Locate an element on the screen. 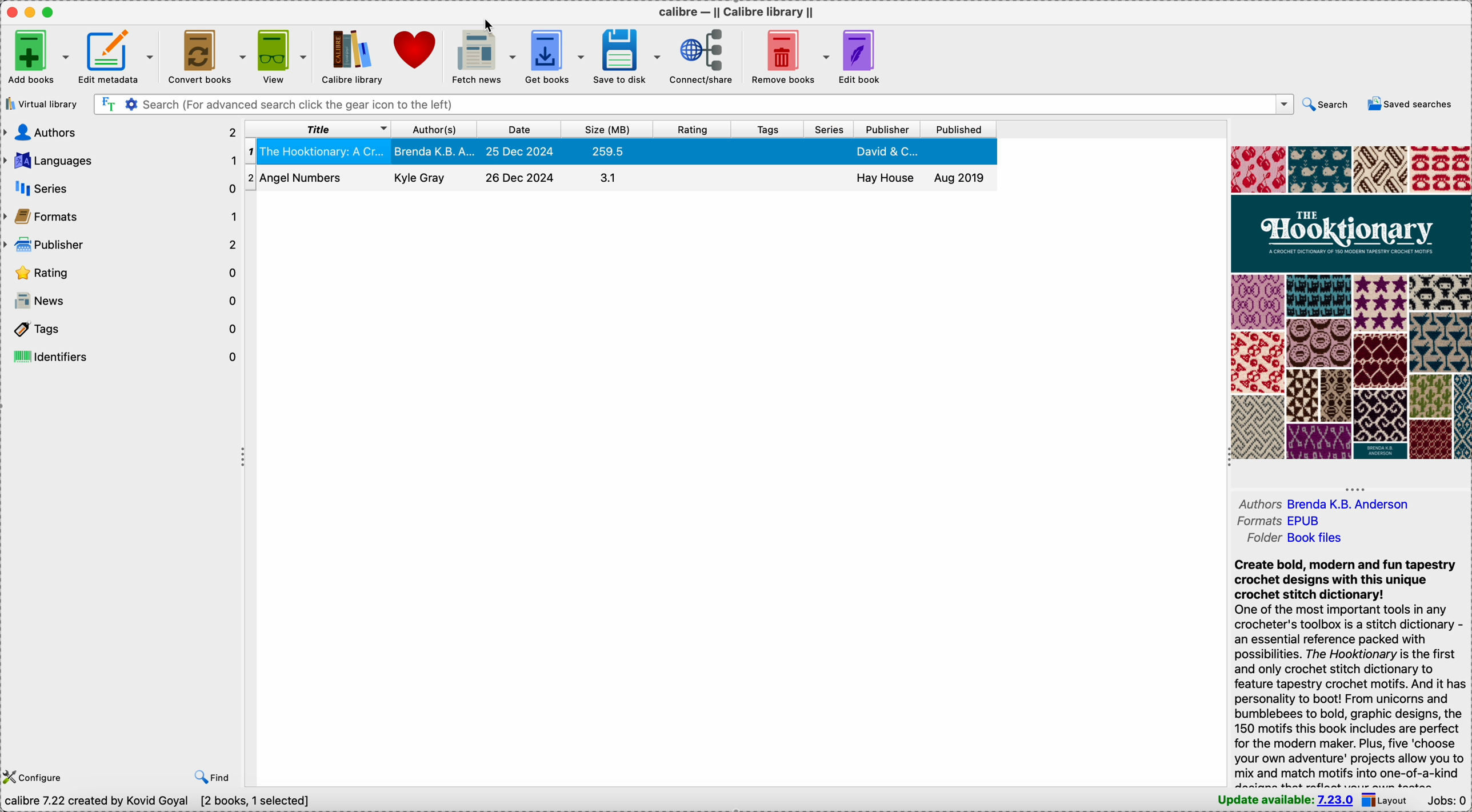  search bar is located at coordinates (691, 104).